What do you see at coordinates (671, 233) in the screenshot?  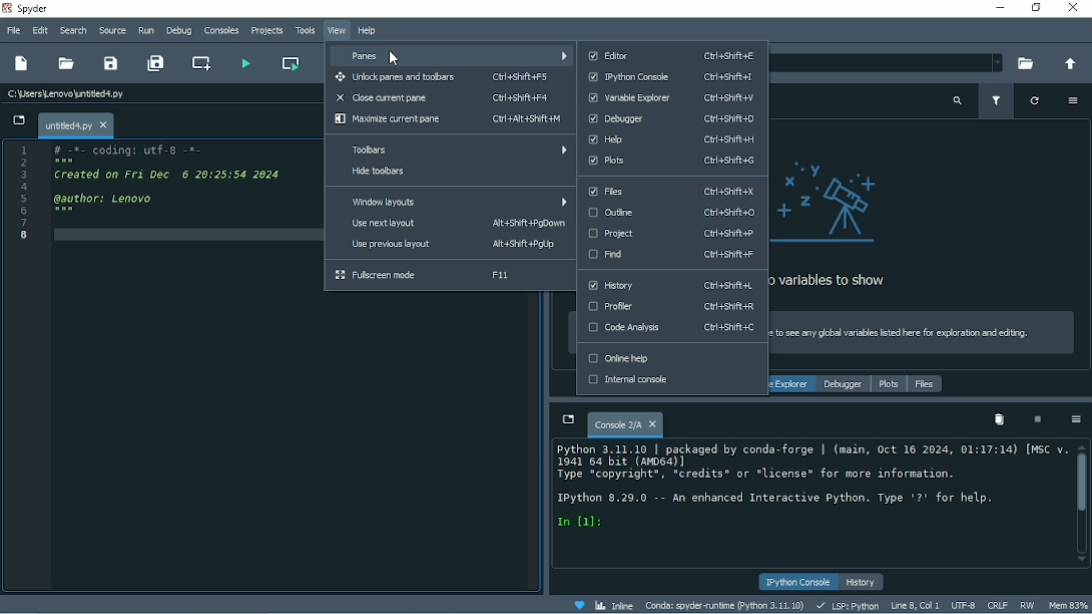 I see `Project` at bounding box center [671, 233].